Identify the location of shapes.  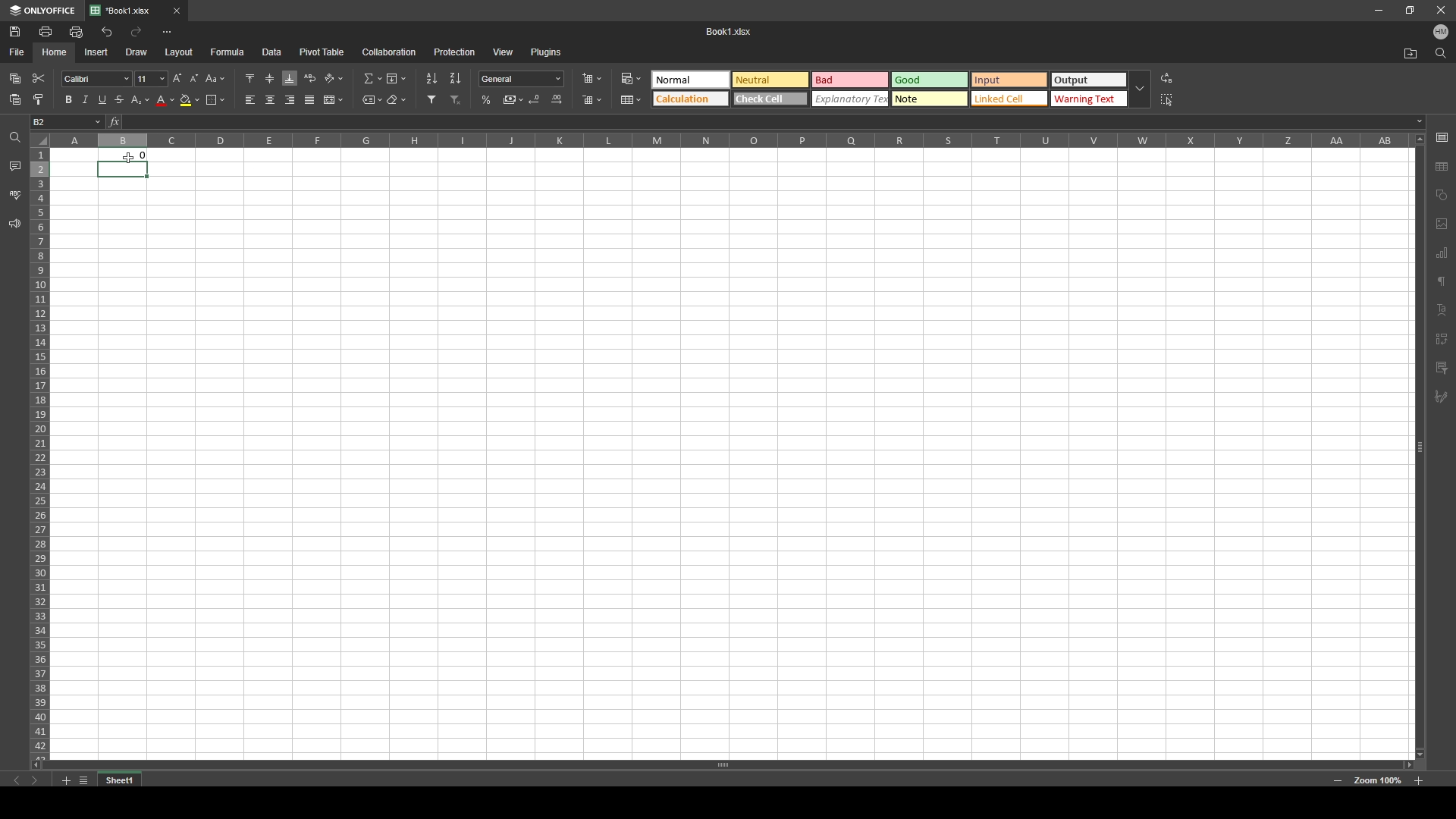
(1442, 194).